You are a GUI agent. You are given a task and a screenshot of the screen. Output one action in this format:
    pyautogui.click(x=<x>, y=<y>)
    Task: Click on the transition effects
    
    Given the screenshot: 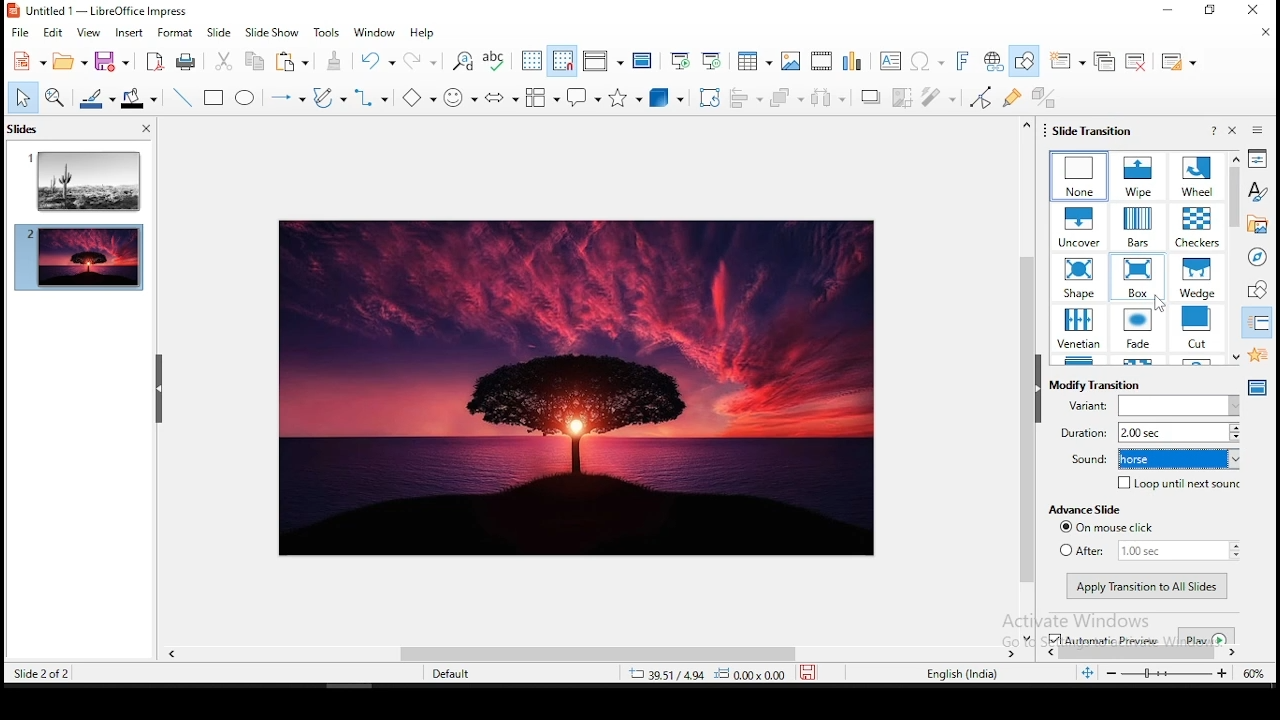 What is the action you would take?
    pyautogui.click(x=1138, y=277)
    